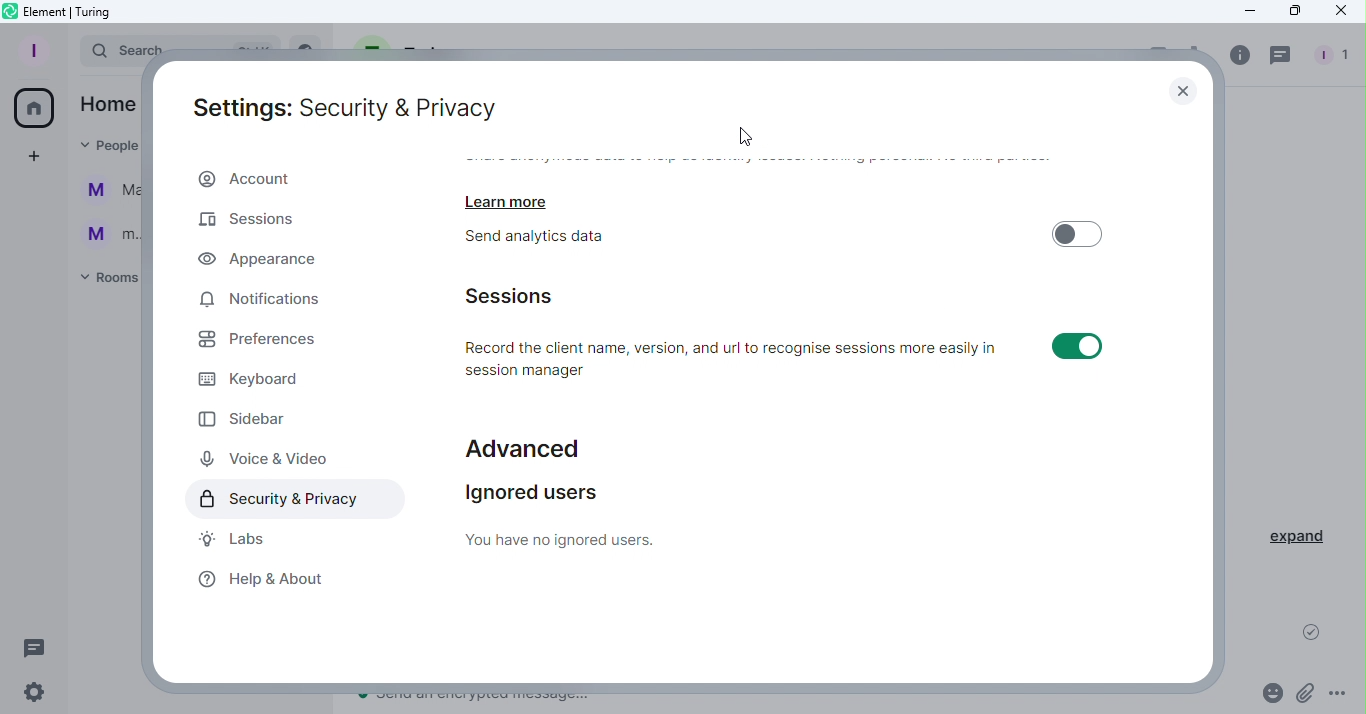 Image resolution: width=1366 pixels, height=714 pixels. I want to click on Scroll bar, so click(1211, 412).